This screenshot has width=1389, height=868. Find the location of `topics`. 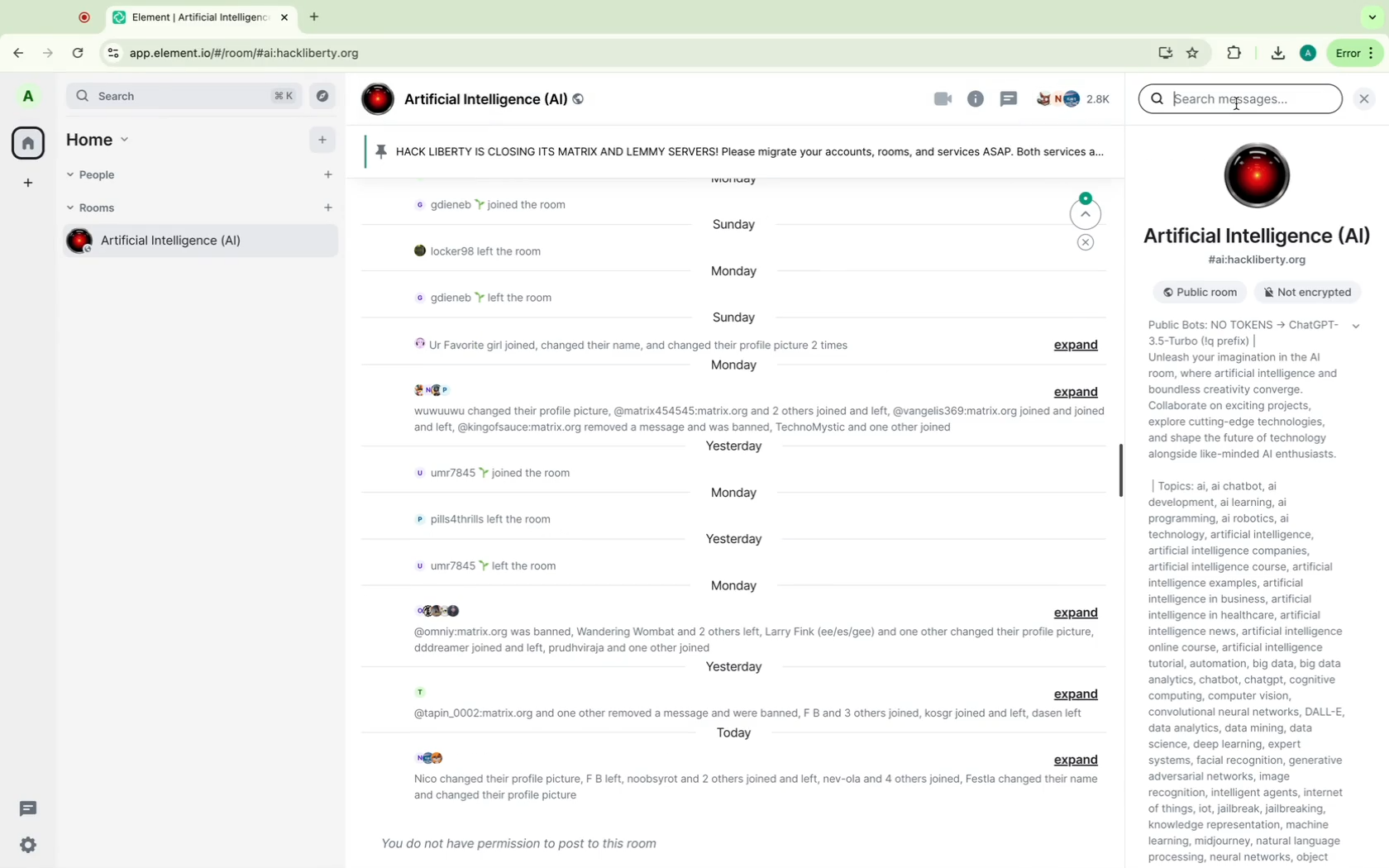

topics is located at coordinates (1264, 673).